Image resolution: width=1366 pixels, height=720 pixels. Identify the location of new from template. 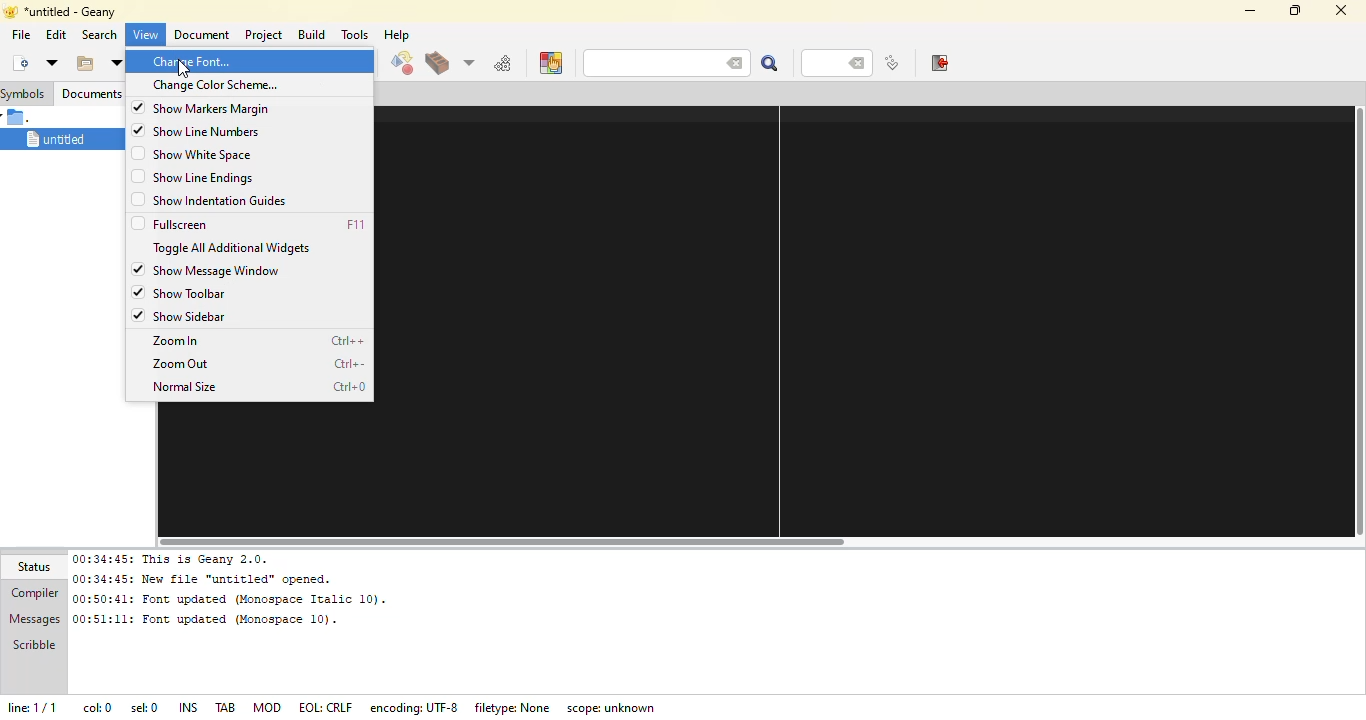
(51, 62).